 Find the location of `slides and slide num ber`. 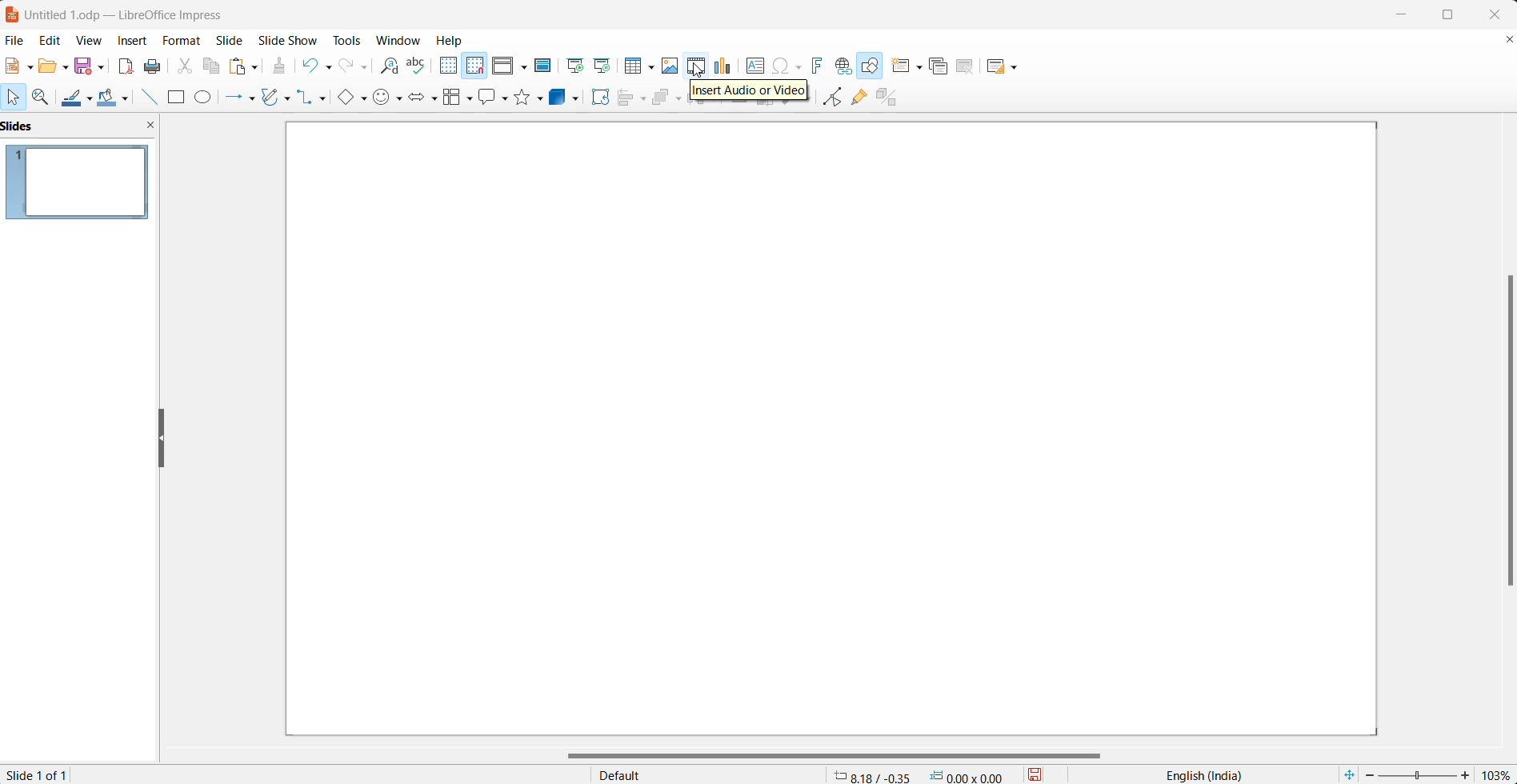

slides and slide num ber is located at coordinates (78, 183).